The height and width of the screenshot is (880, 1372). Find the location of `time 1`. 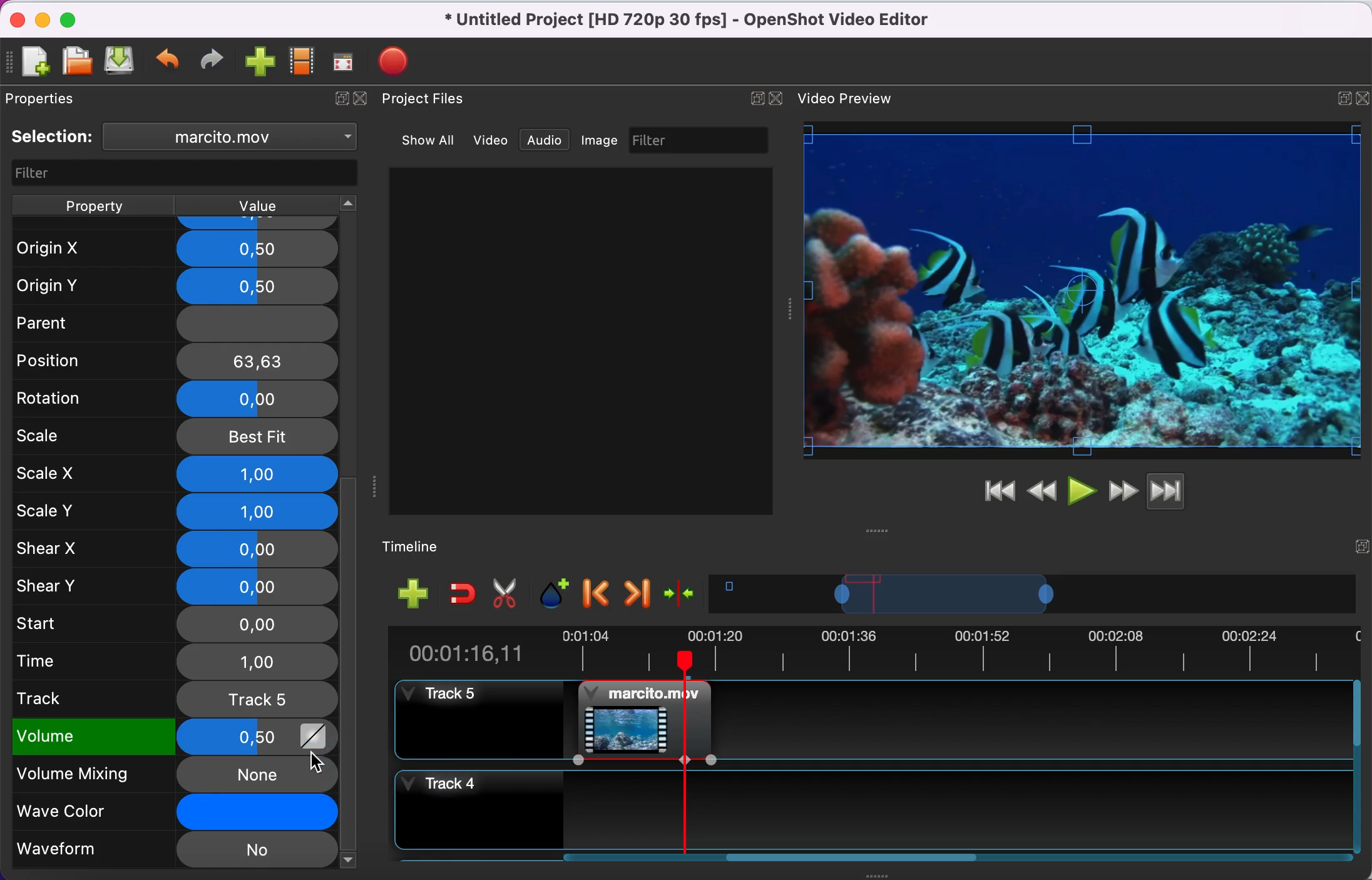

time 1 is located at coordinates (176, 661).